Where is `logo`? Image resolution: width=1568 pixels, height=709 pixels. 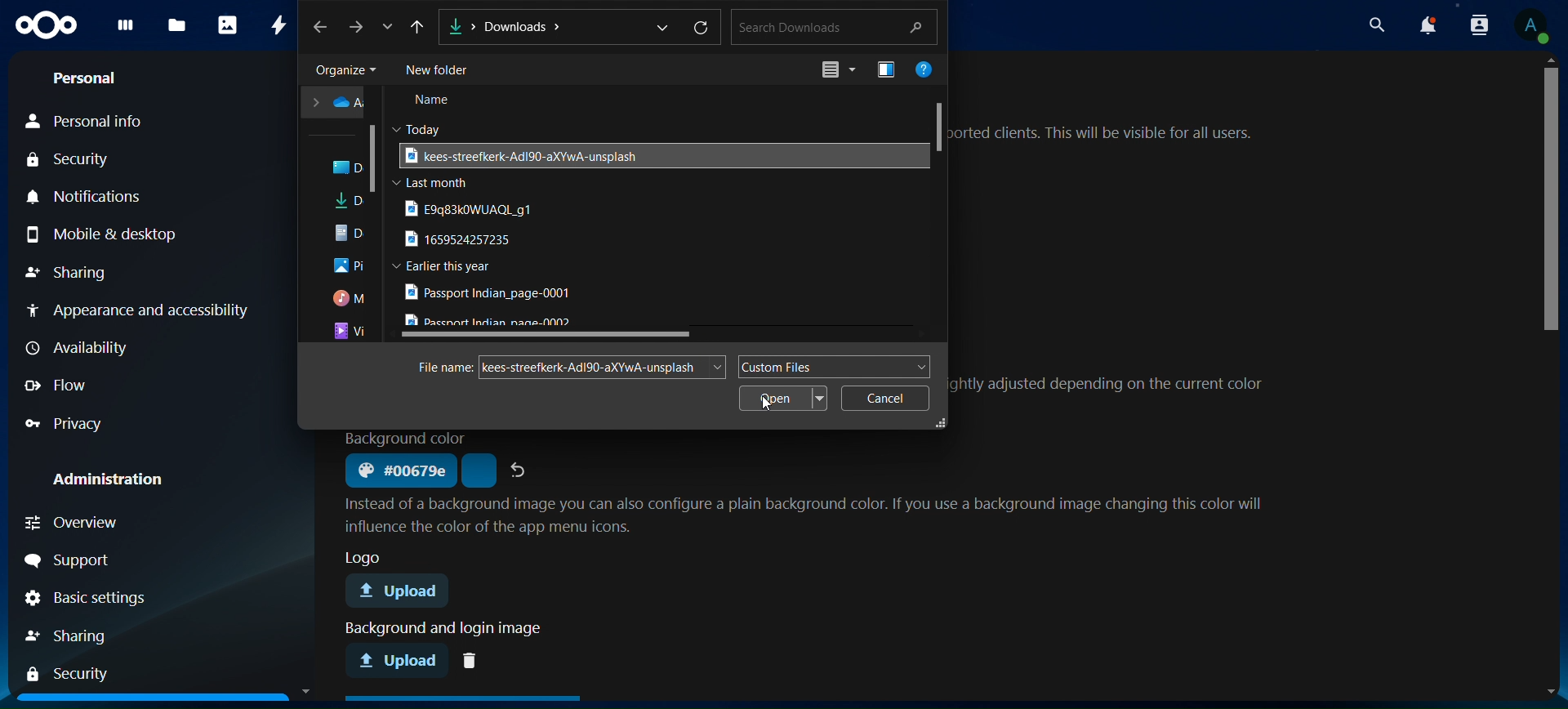
logo is located at coordinates (47, 26).